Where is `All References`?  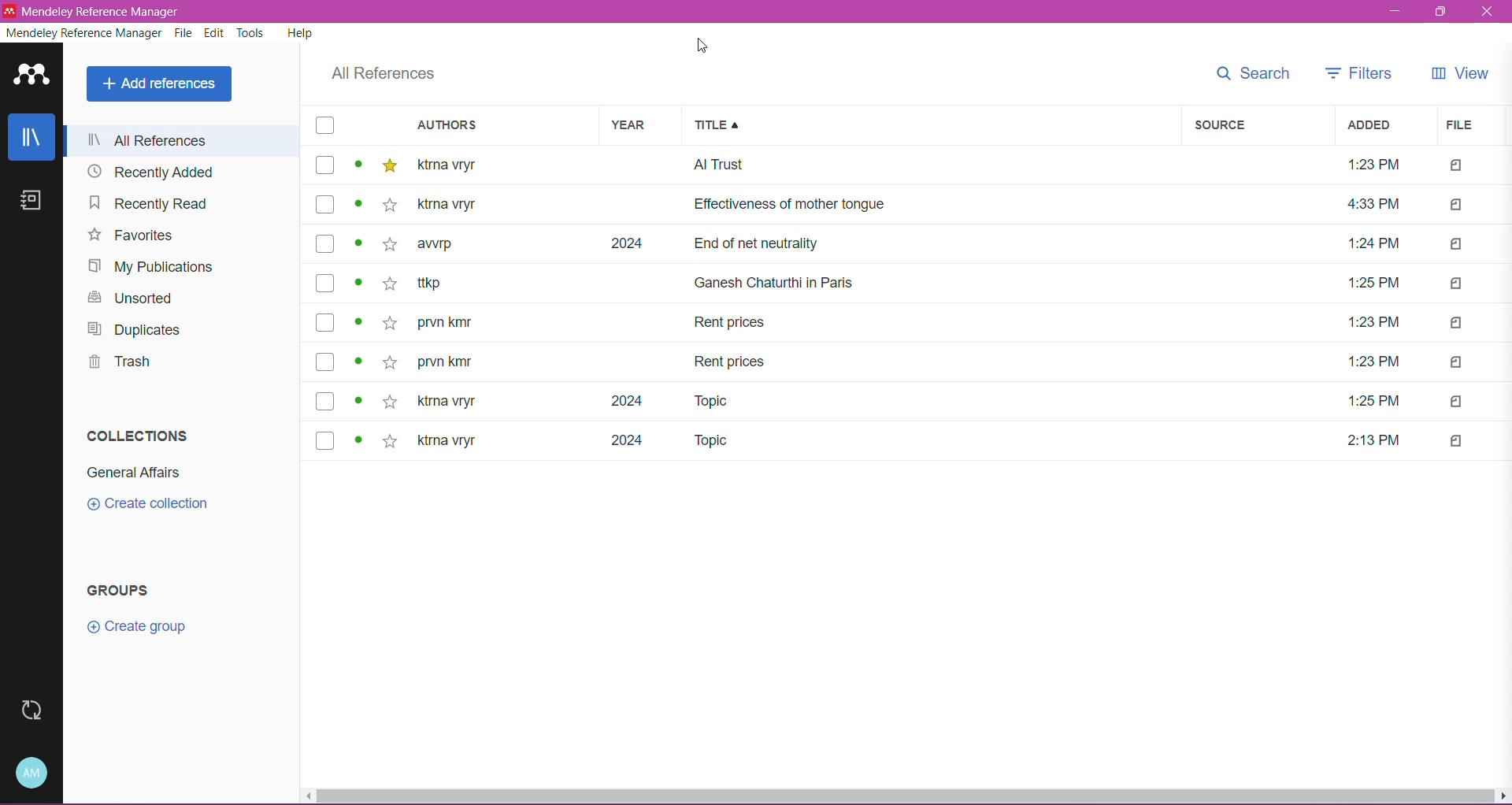 All References is located at coordinates (182, 141).